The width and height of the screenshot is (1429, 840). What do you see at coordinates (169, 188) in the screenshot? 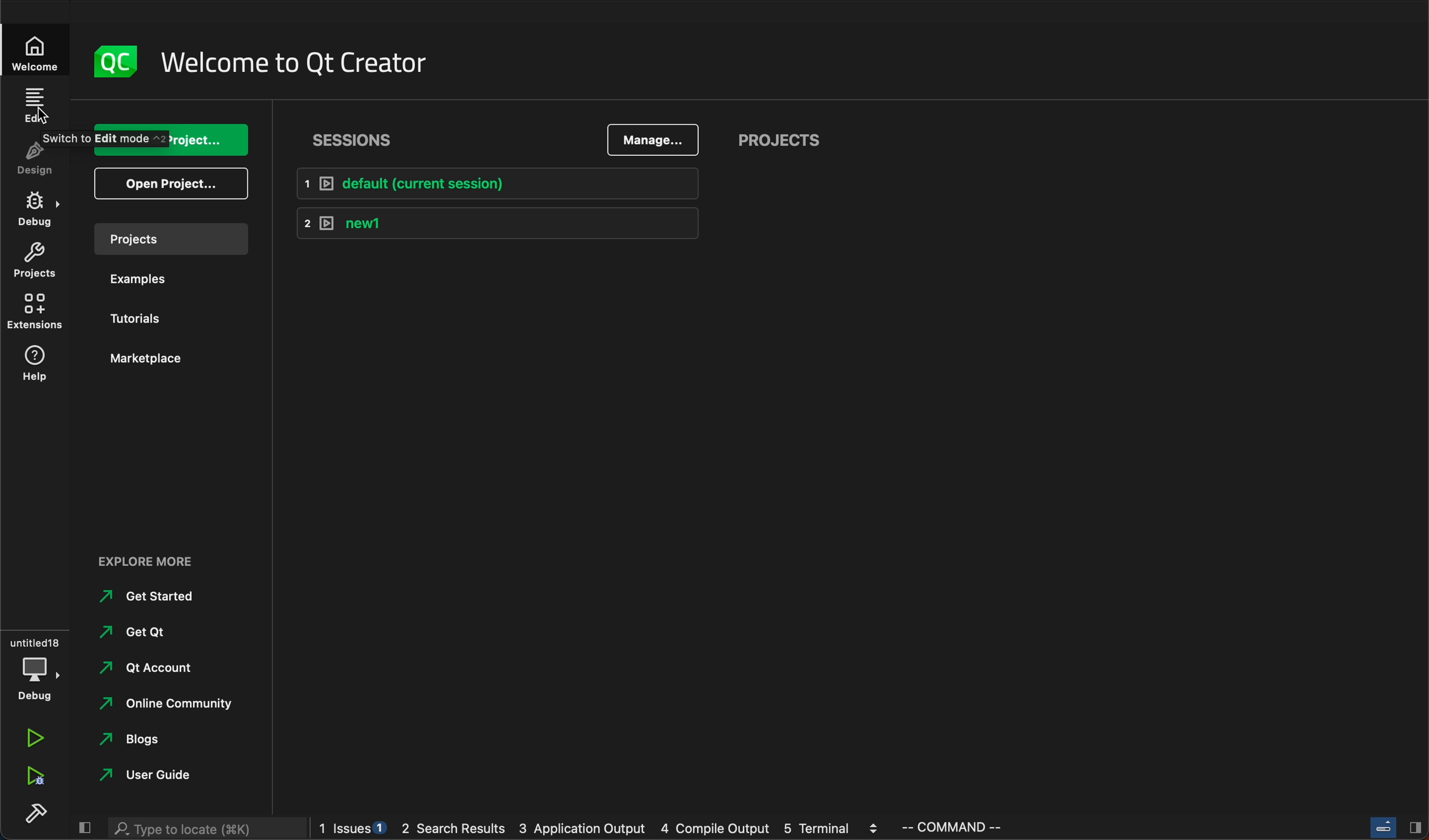
I see `open` at bounding box center [169, 188].